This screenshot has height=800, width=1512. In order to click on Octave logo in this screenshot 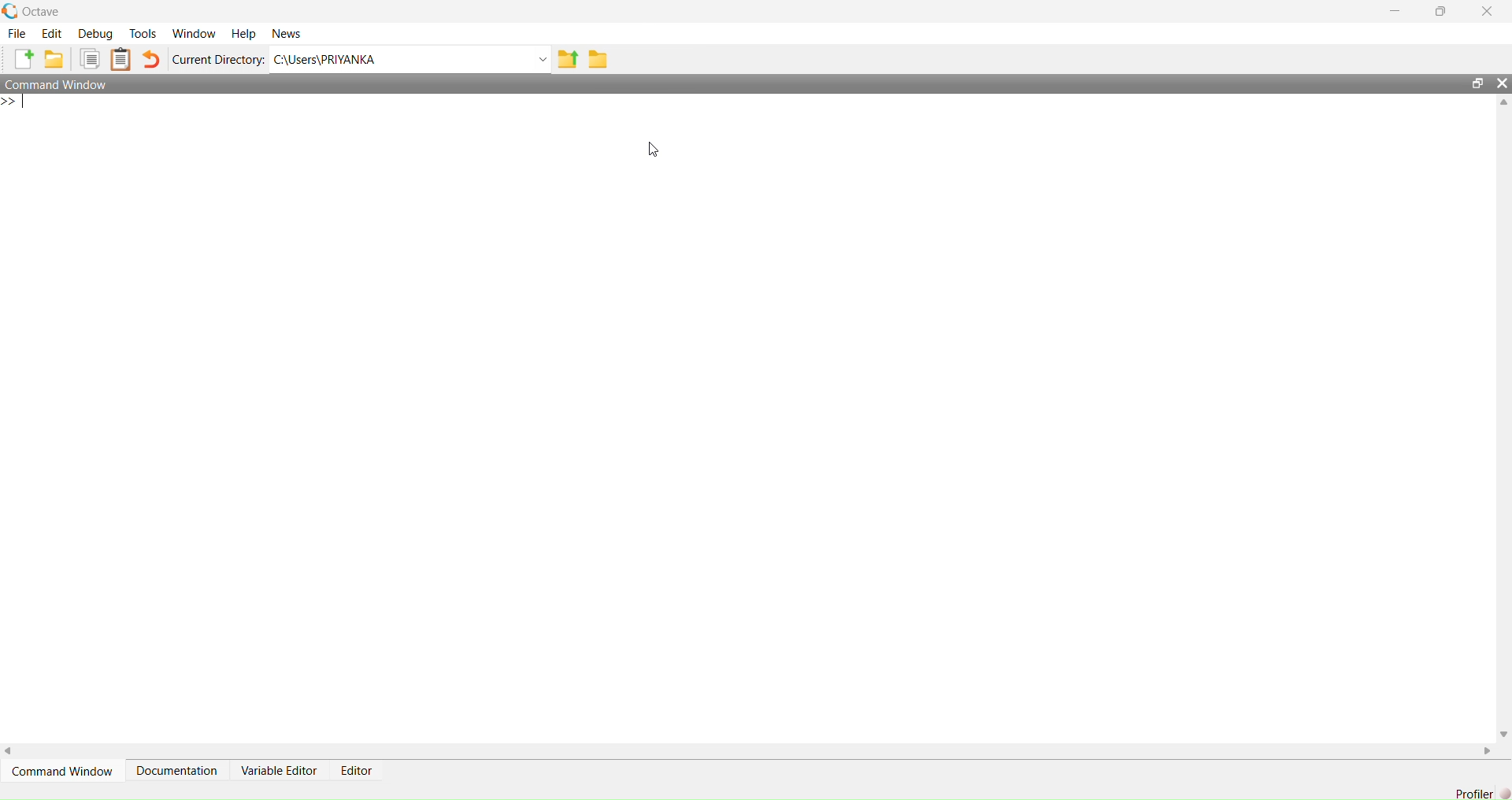, I will do `click(10, 11)`.